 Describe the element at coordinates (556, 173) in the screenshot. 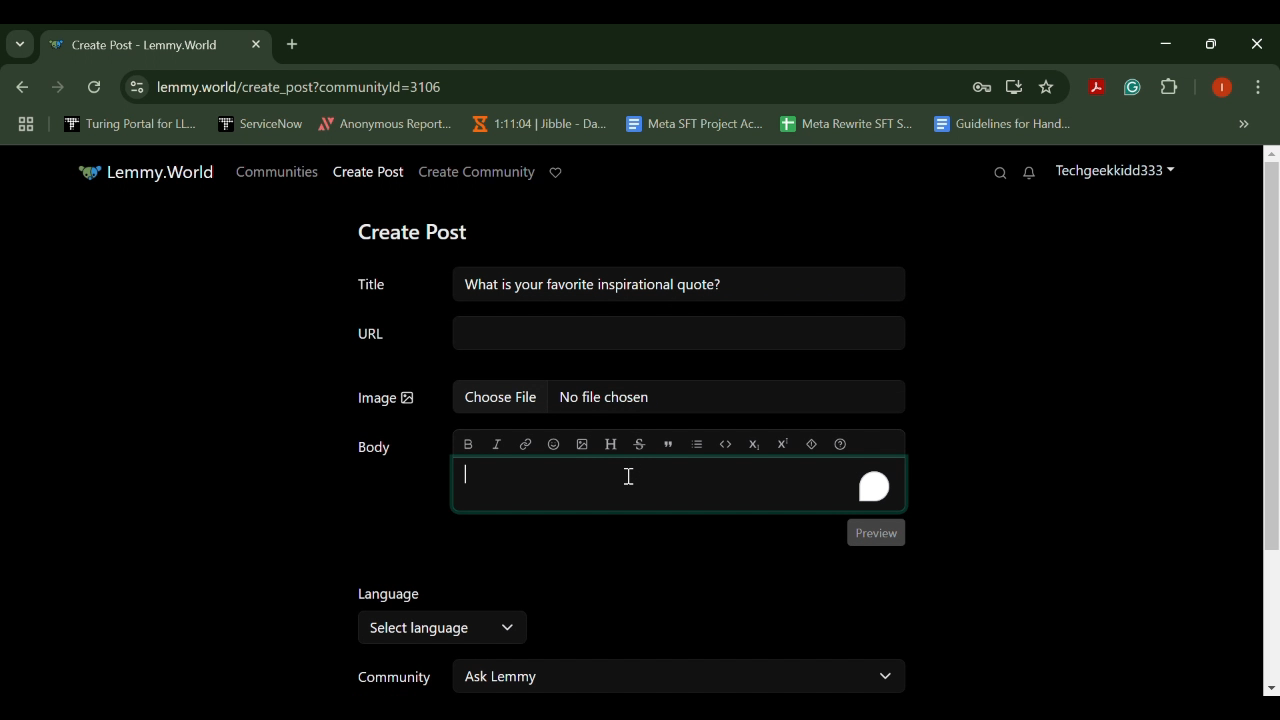

I see `Donate to Lemmy` at that location.